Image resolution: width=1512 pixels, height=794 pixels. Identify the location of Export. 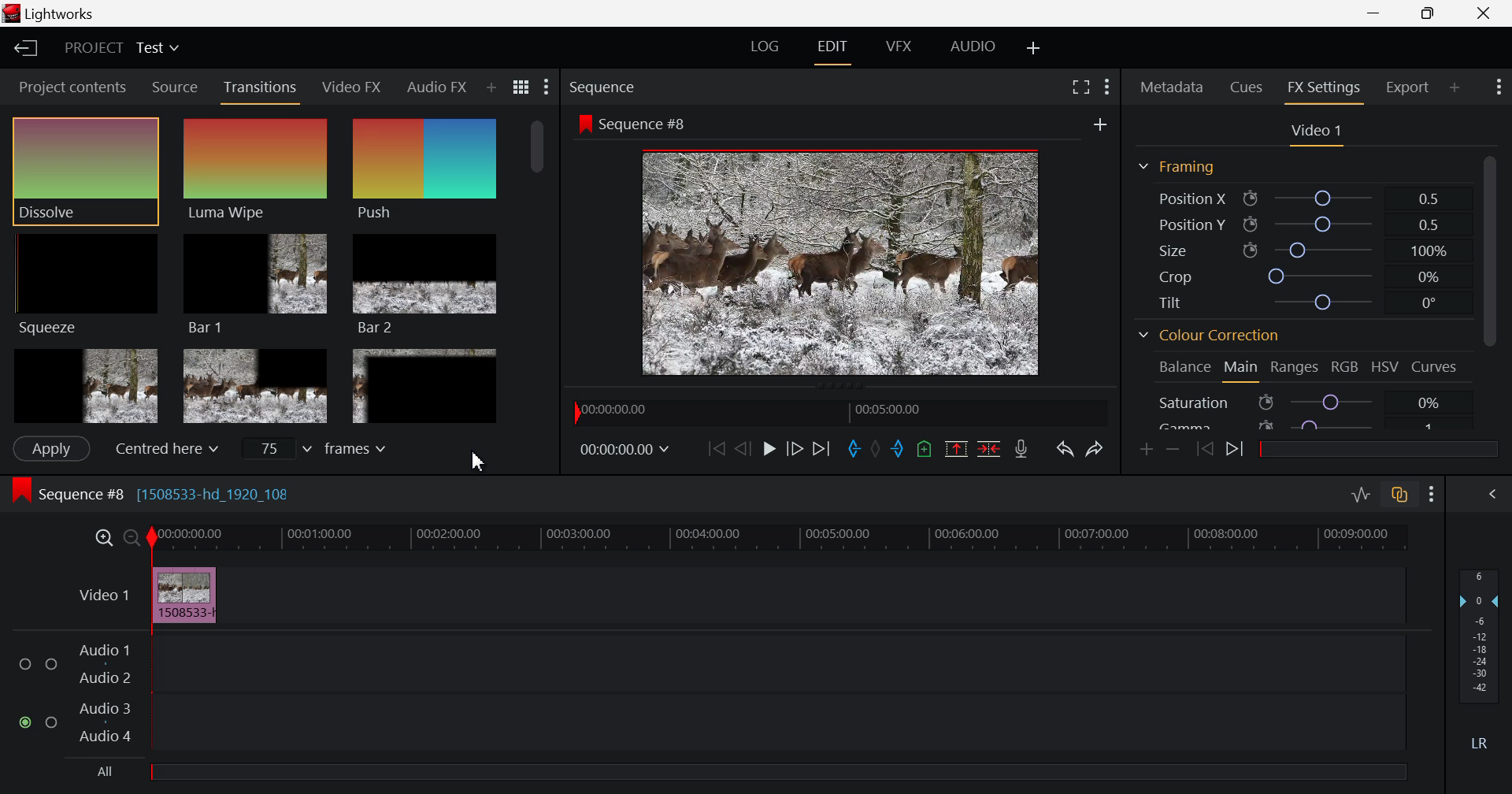
(1407, 84).